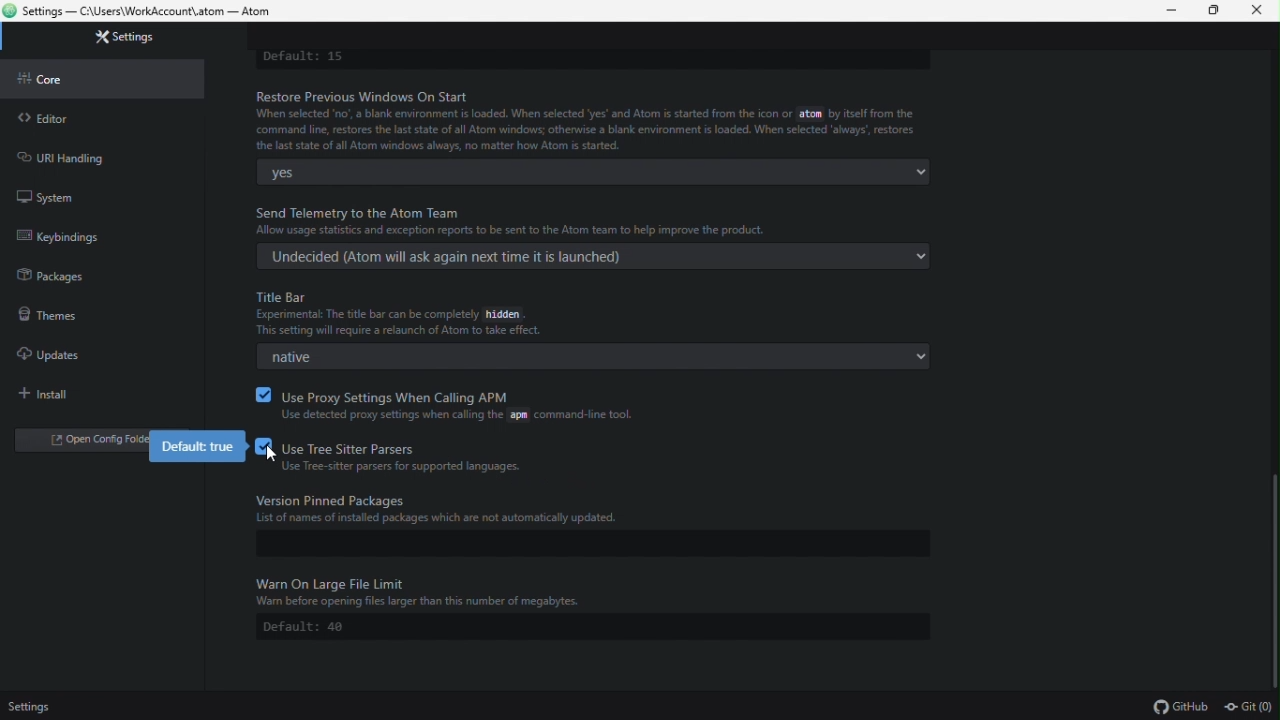 The width and height of the screenshot is (1280, 720). I want to click on updates, so click(49, 351).